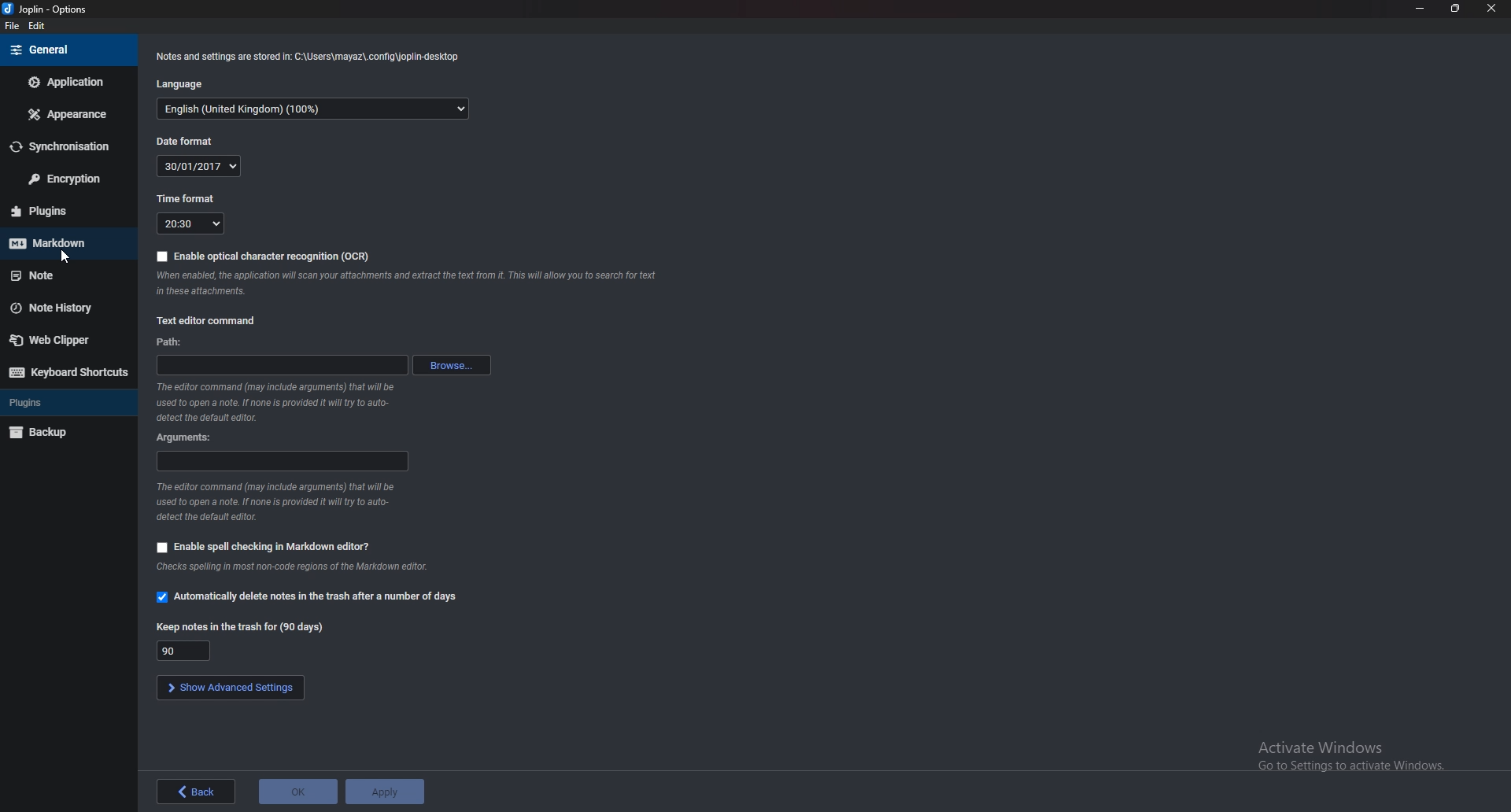 This screenshot has width=1511, height=812. I want to click on Arguments, so click(281, 462).